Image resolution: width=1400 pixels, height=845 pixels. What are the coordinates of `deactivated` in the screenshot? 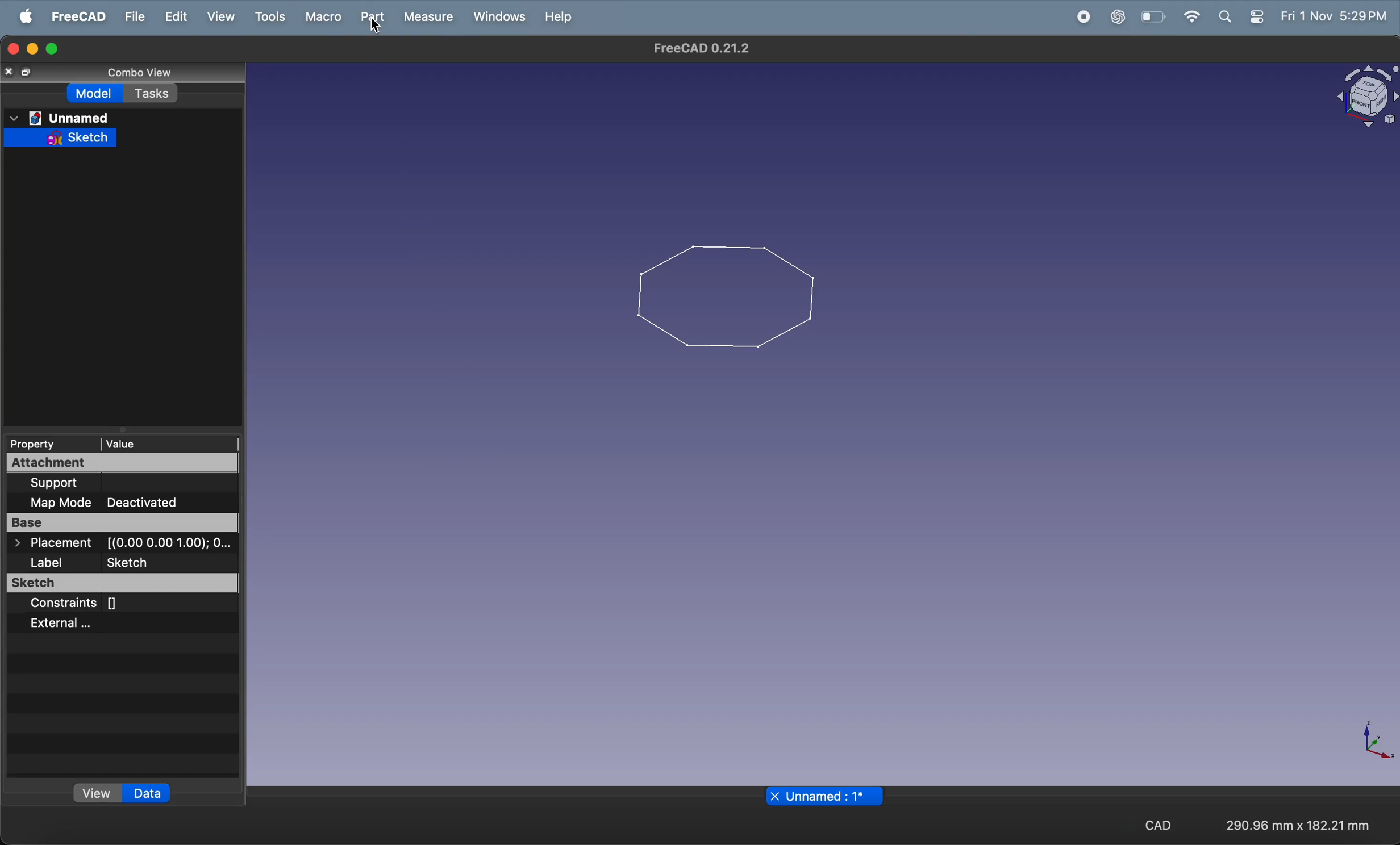 It's located at (174, 503).